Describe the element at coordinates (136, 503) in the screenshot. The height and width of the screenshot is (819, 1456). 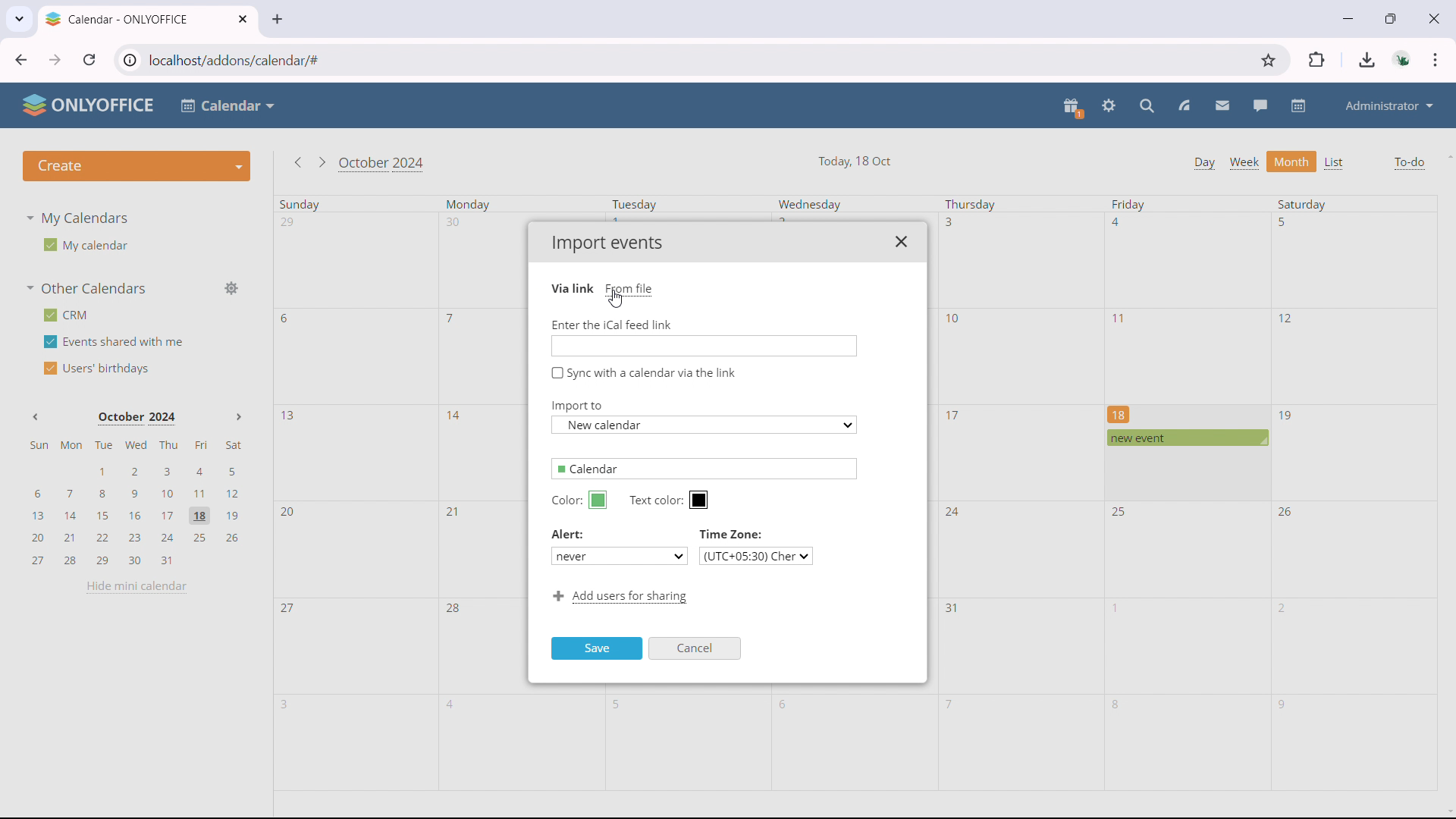
I see `mini calendar` at that location.